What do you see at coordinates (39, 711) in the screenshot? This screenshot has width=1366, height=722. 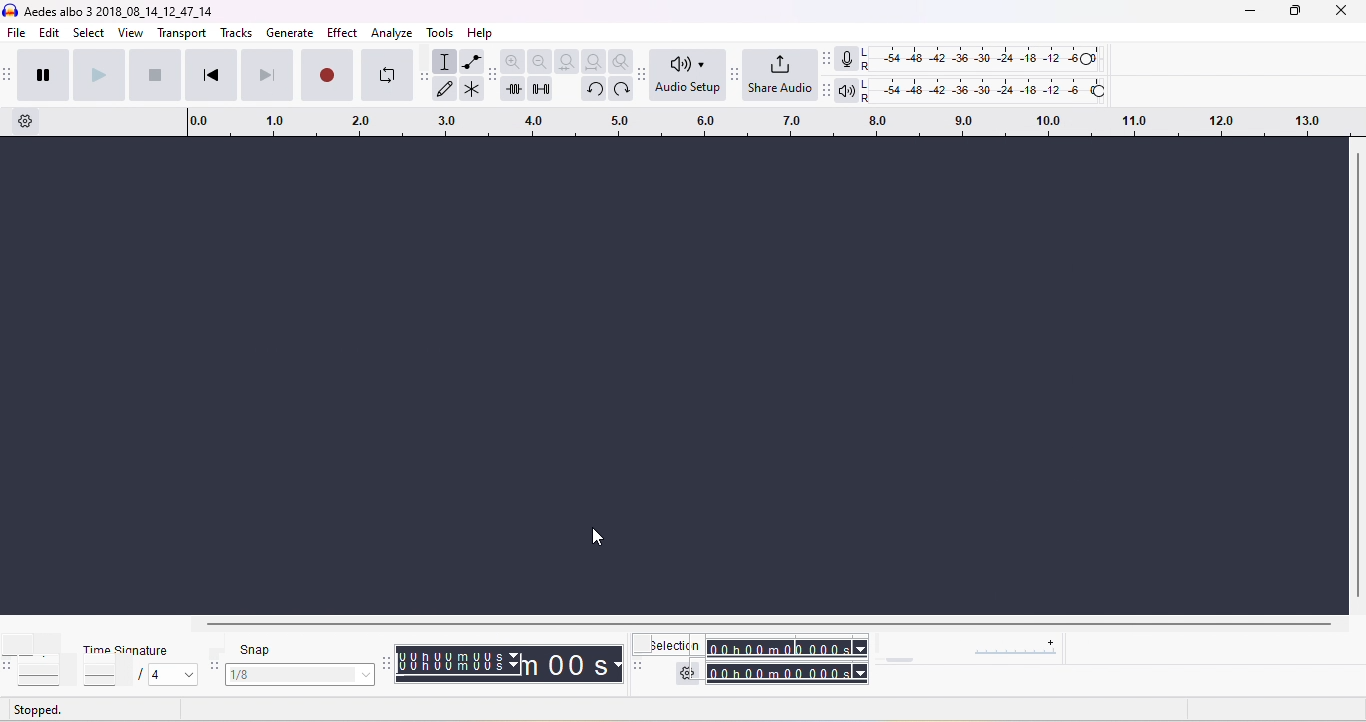 I see `stopped` at bounding box center [39, 711].